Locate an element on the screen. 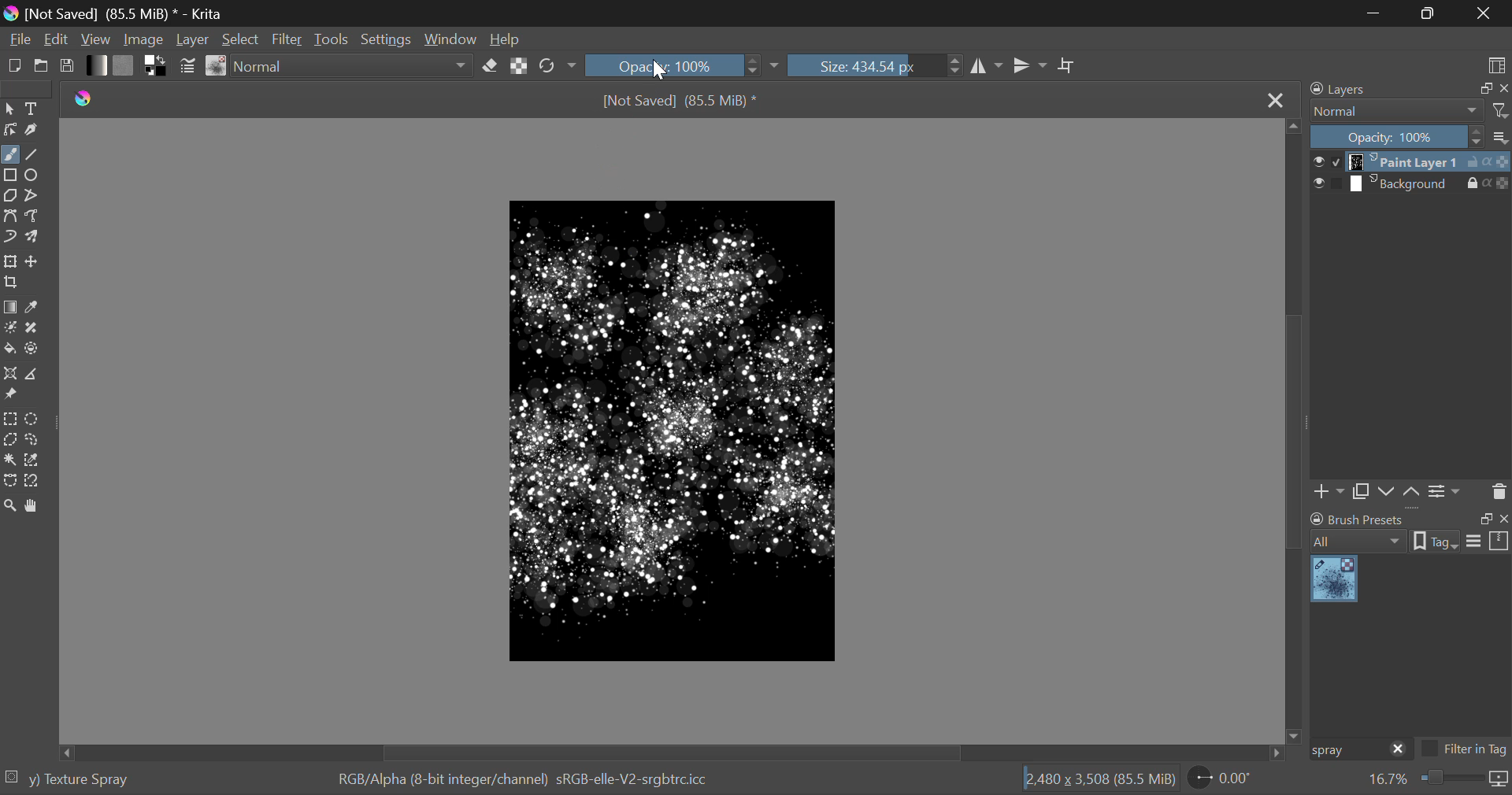  12,480 x 3,508 (69.2 MiB) is located at coordinates (1100, 778).